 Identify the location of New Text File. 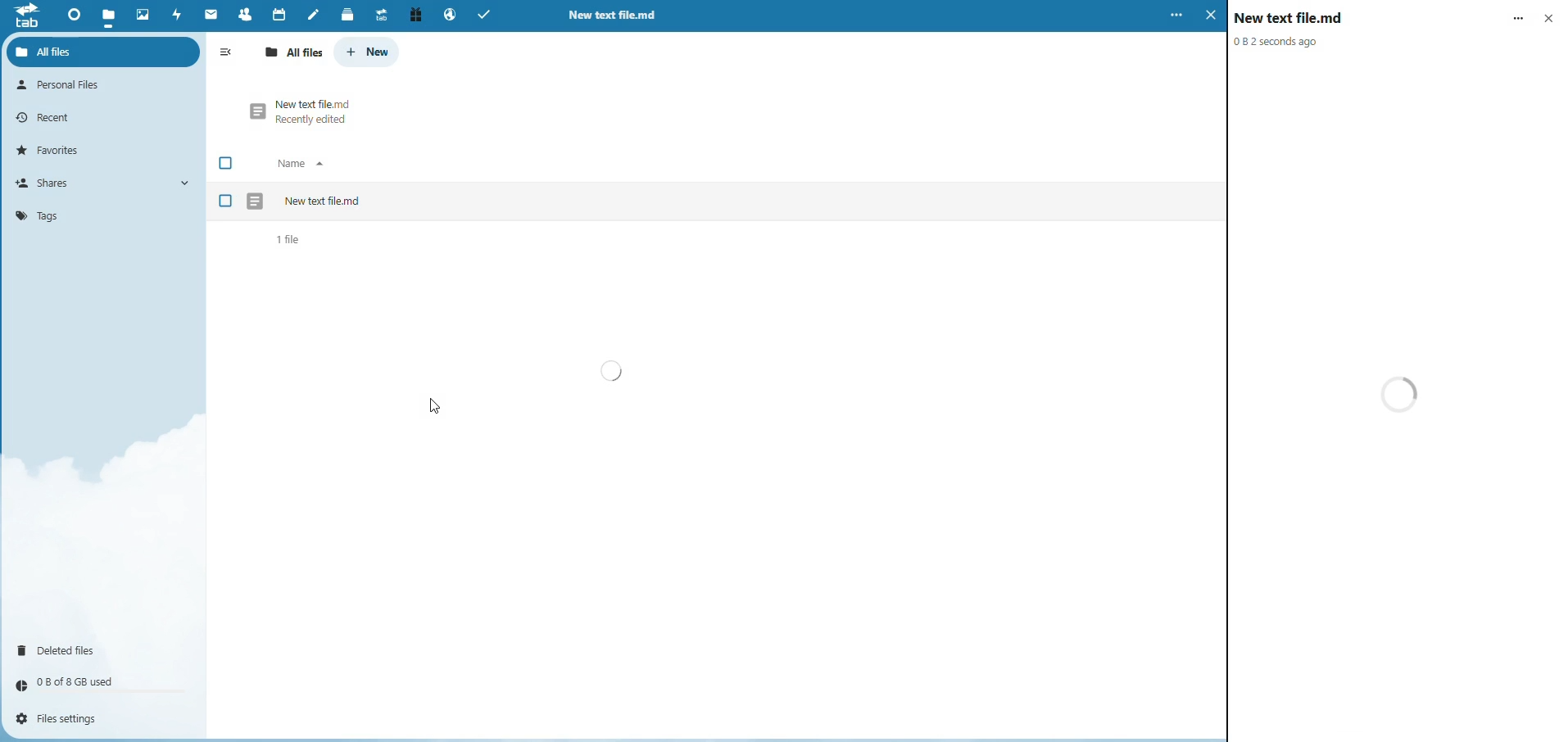
(315, 102).